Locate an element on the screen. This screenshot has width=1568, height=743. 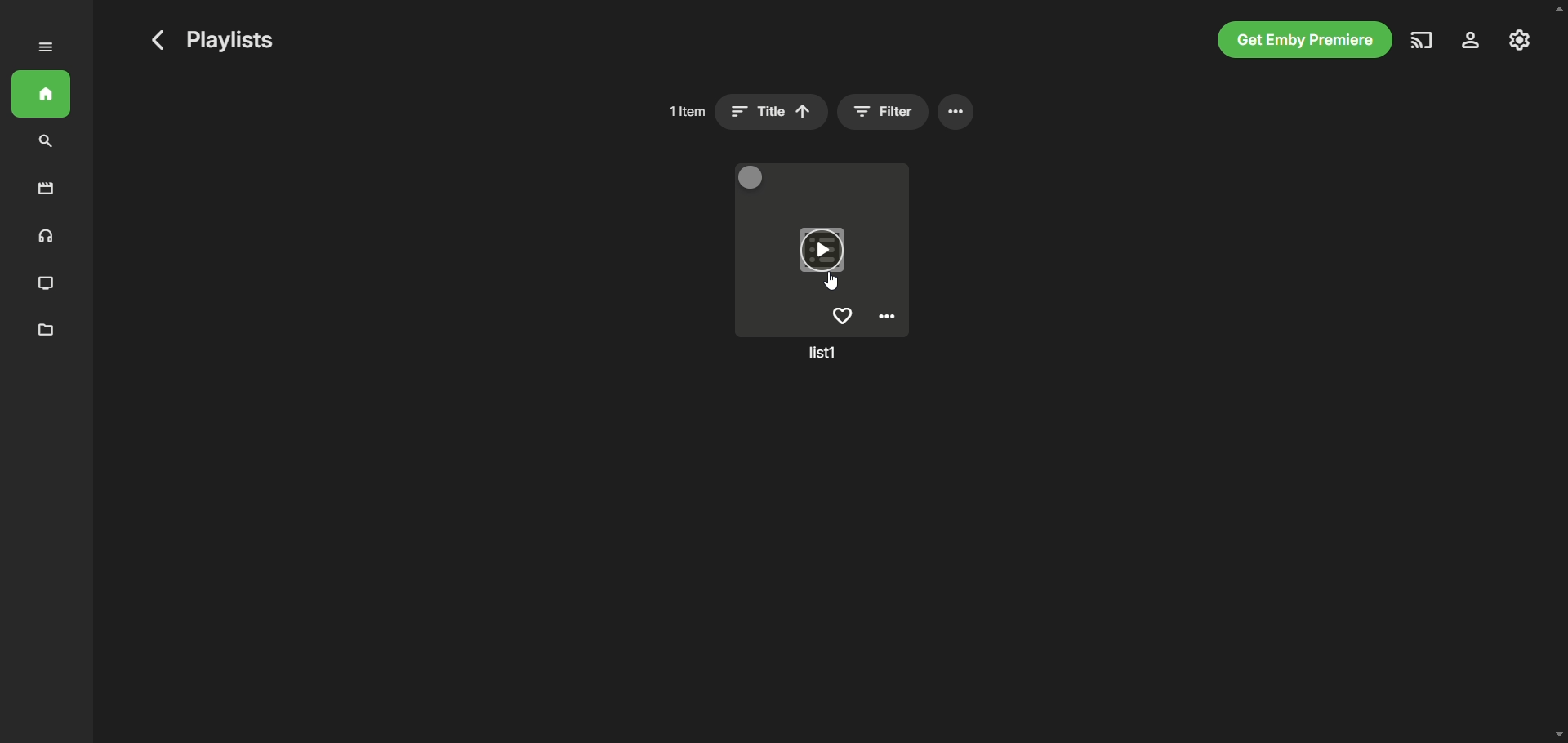
settings is located at coordinates (956, 111).